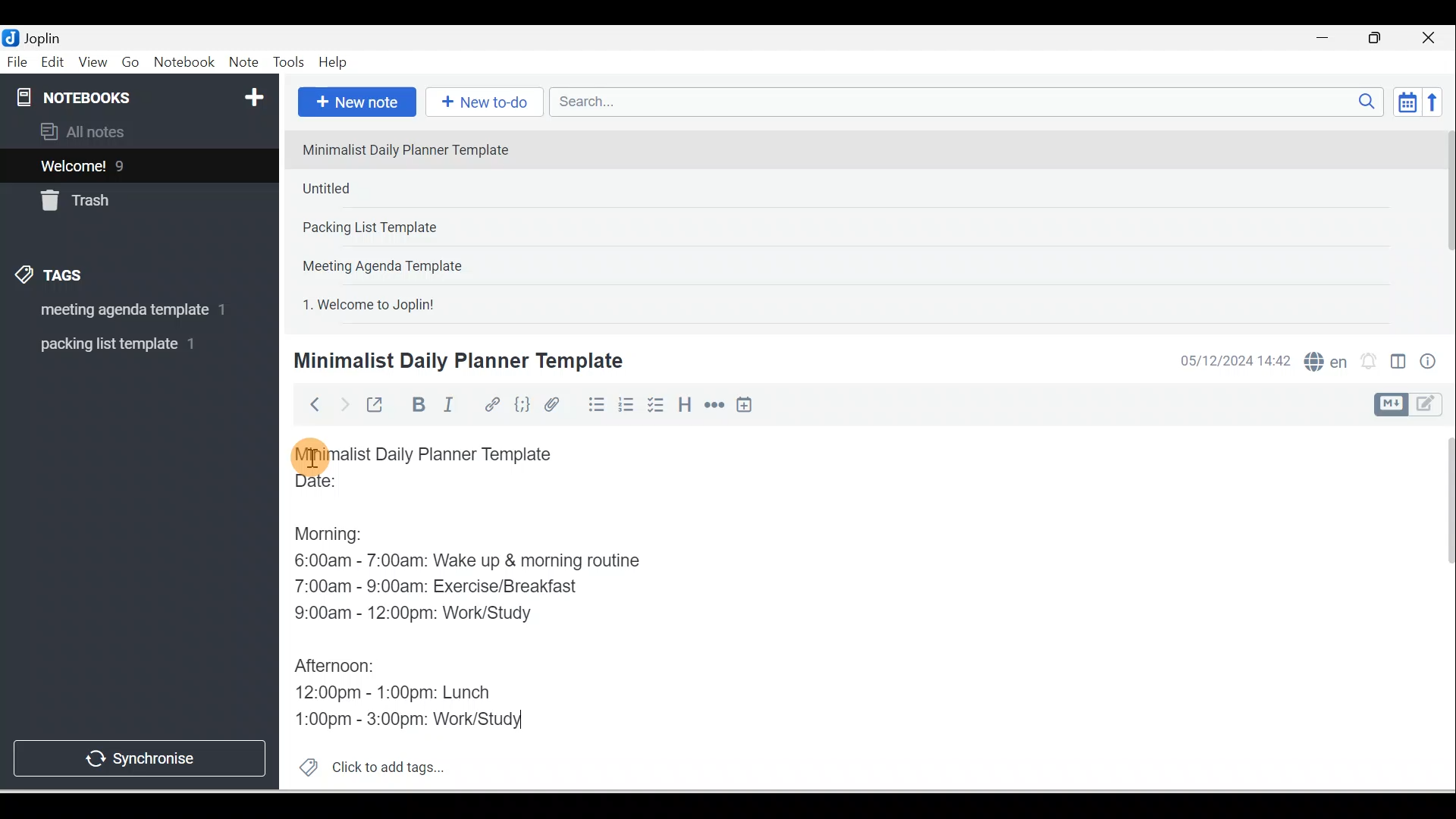 Image resolution: width=1456 pixels, height=819 pixels. What do you see at coordinates (1407, 101) in the screenshot?
I see `Toggle sort order` at bounding box center [1407, 101].